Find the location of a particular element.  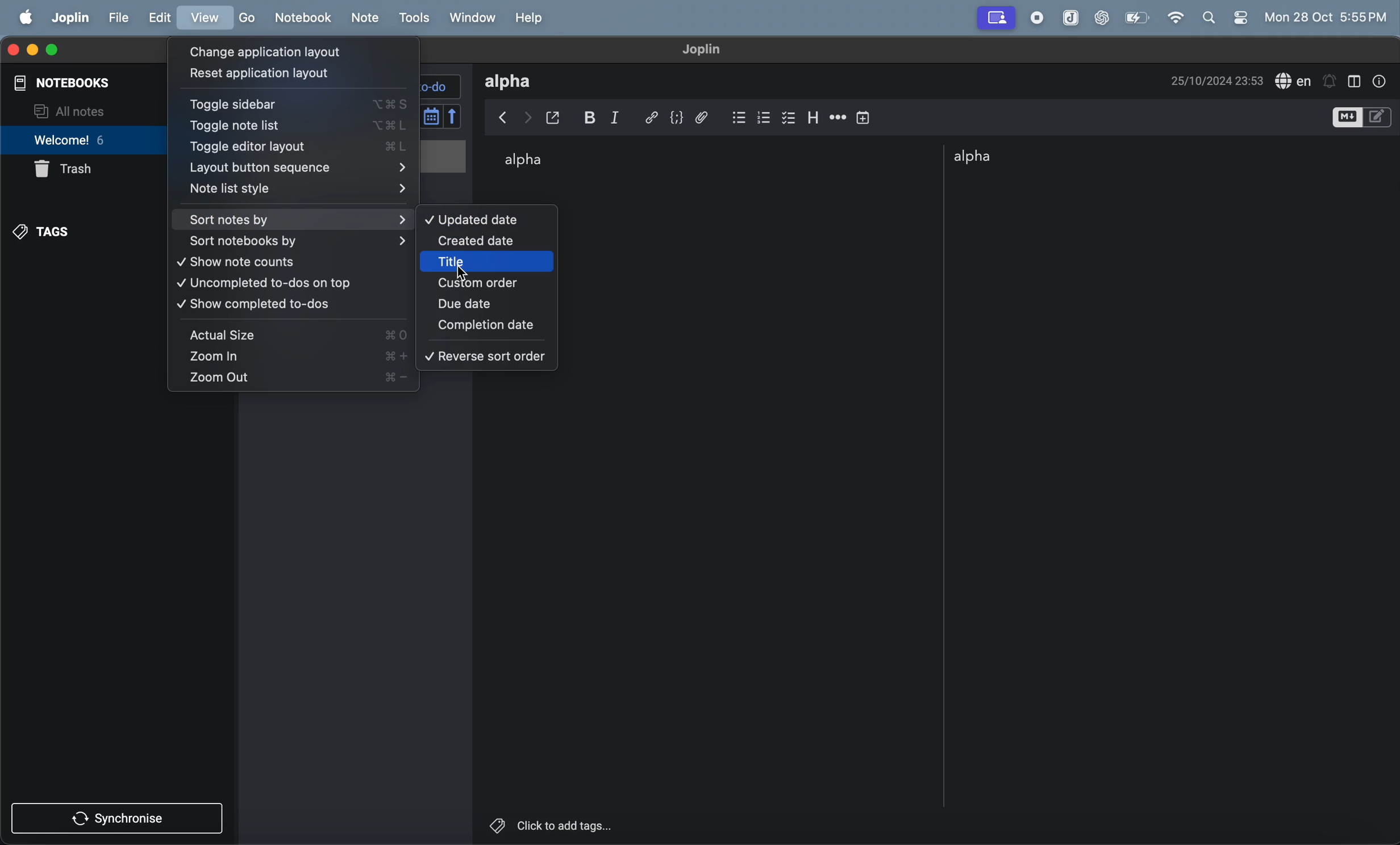

sort date is located at coordinates (441, 116).